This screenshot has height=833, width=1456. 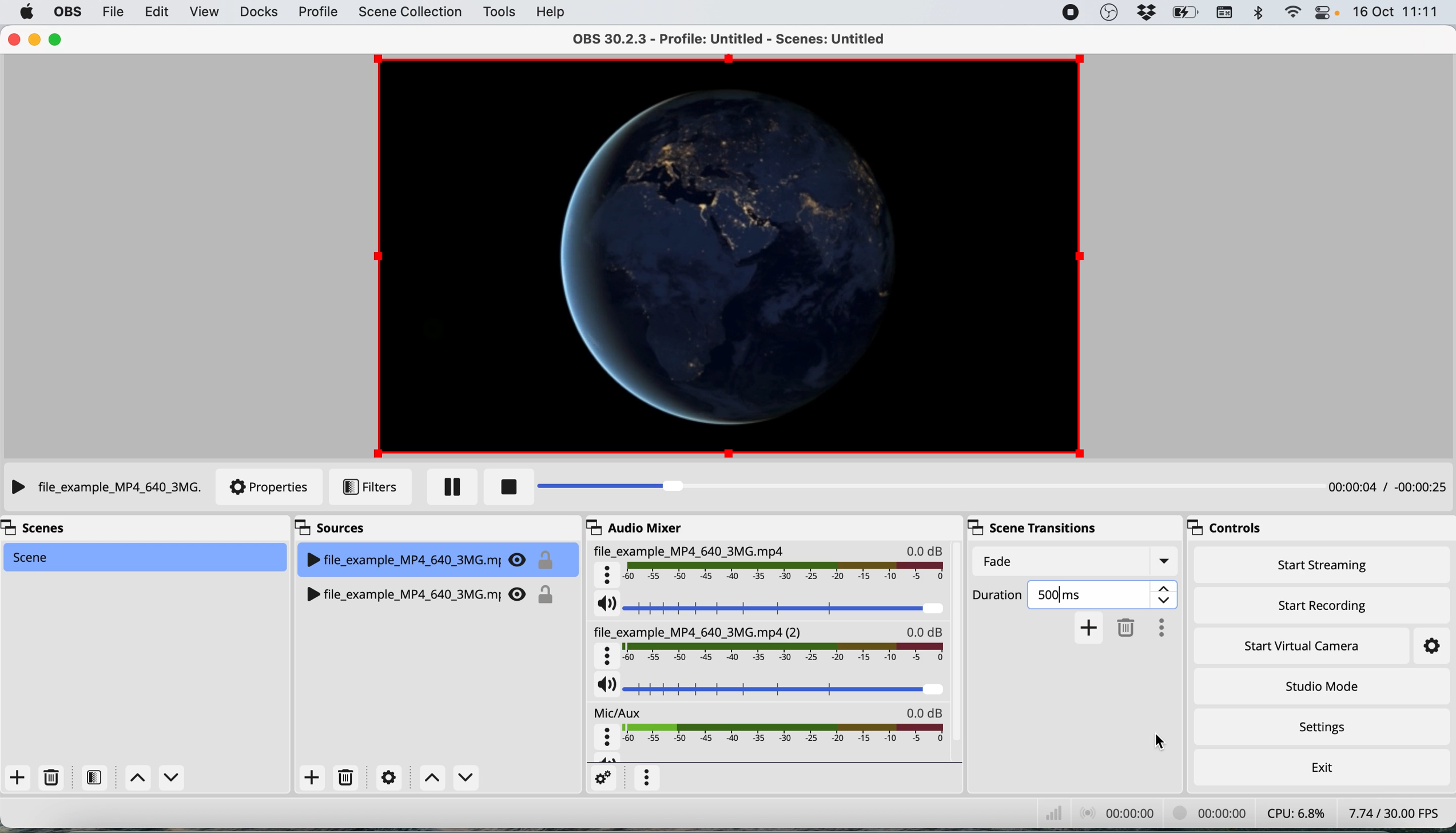 What do you see at coordinates (443, 487) in the screenshot?
I see `pause` at bounding box center [443, 487].